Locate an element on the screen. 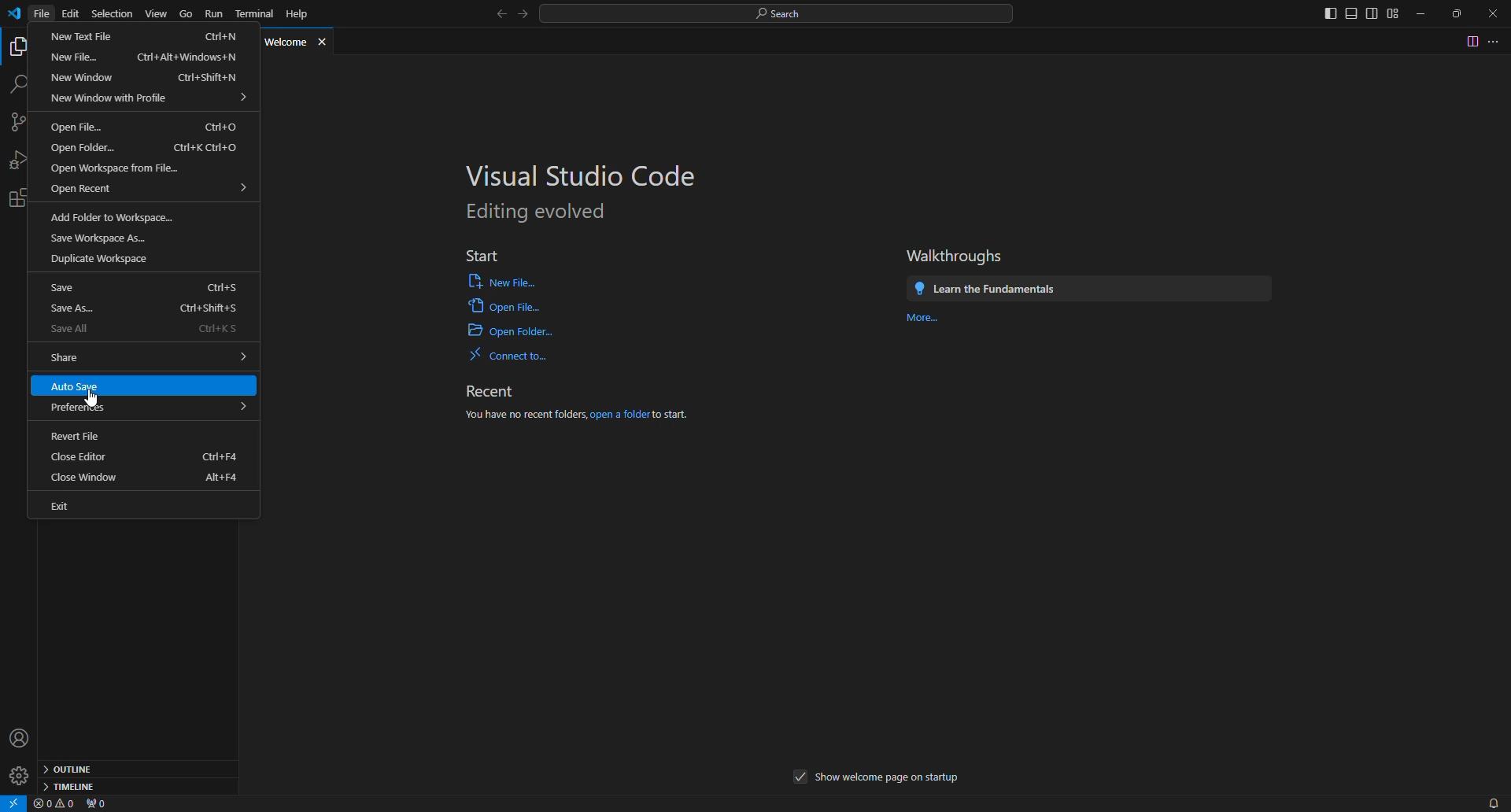 This screenshot has height=812, width=1511. open a folder is located at coordinates (619, 415).